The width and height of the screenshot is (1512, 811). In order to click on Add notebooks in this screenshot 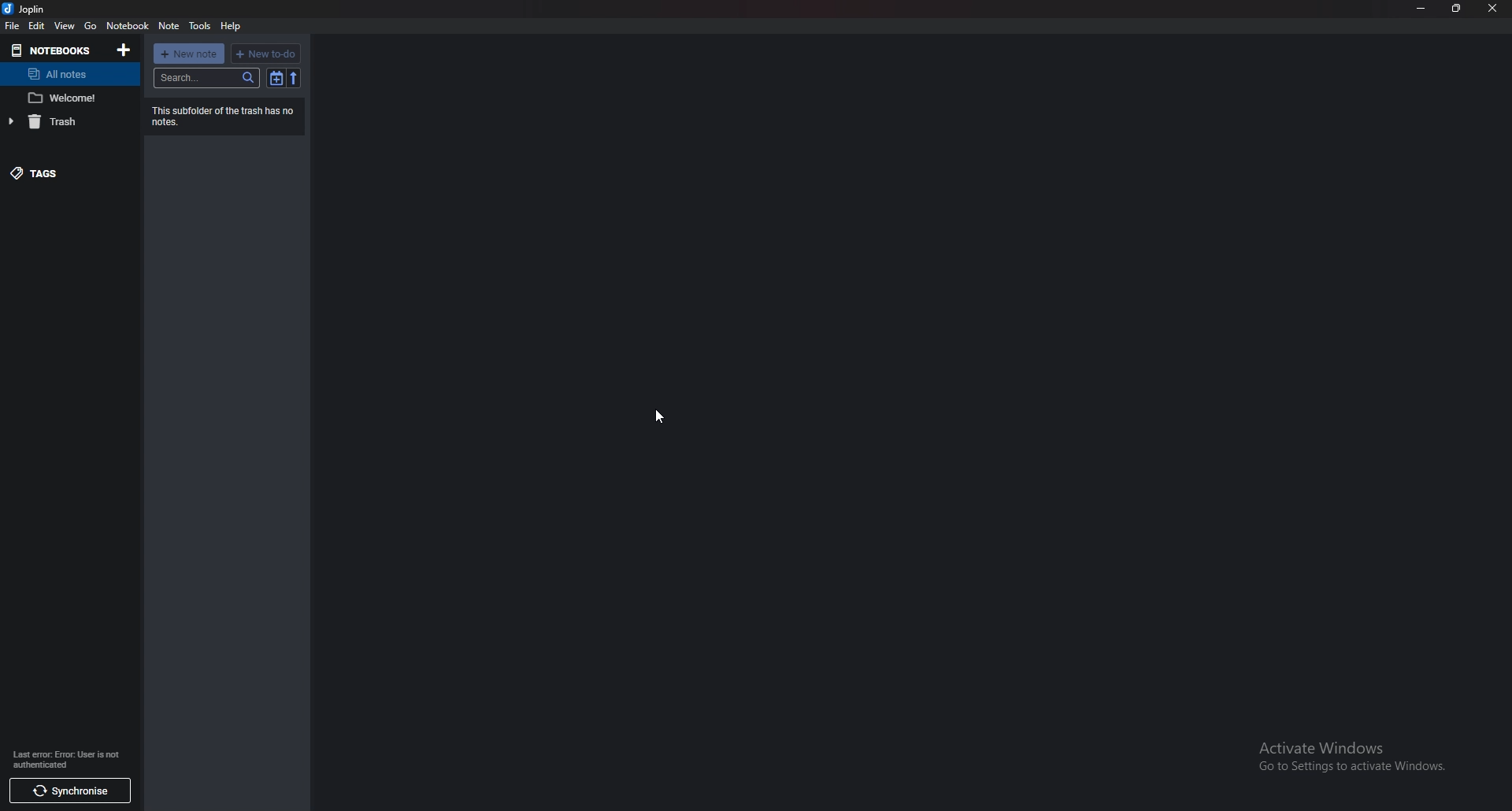, I will do `click(125, 50)`.